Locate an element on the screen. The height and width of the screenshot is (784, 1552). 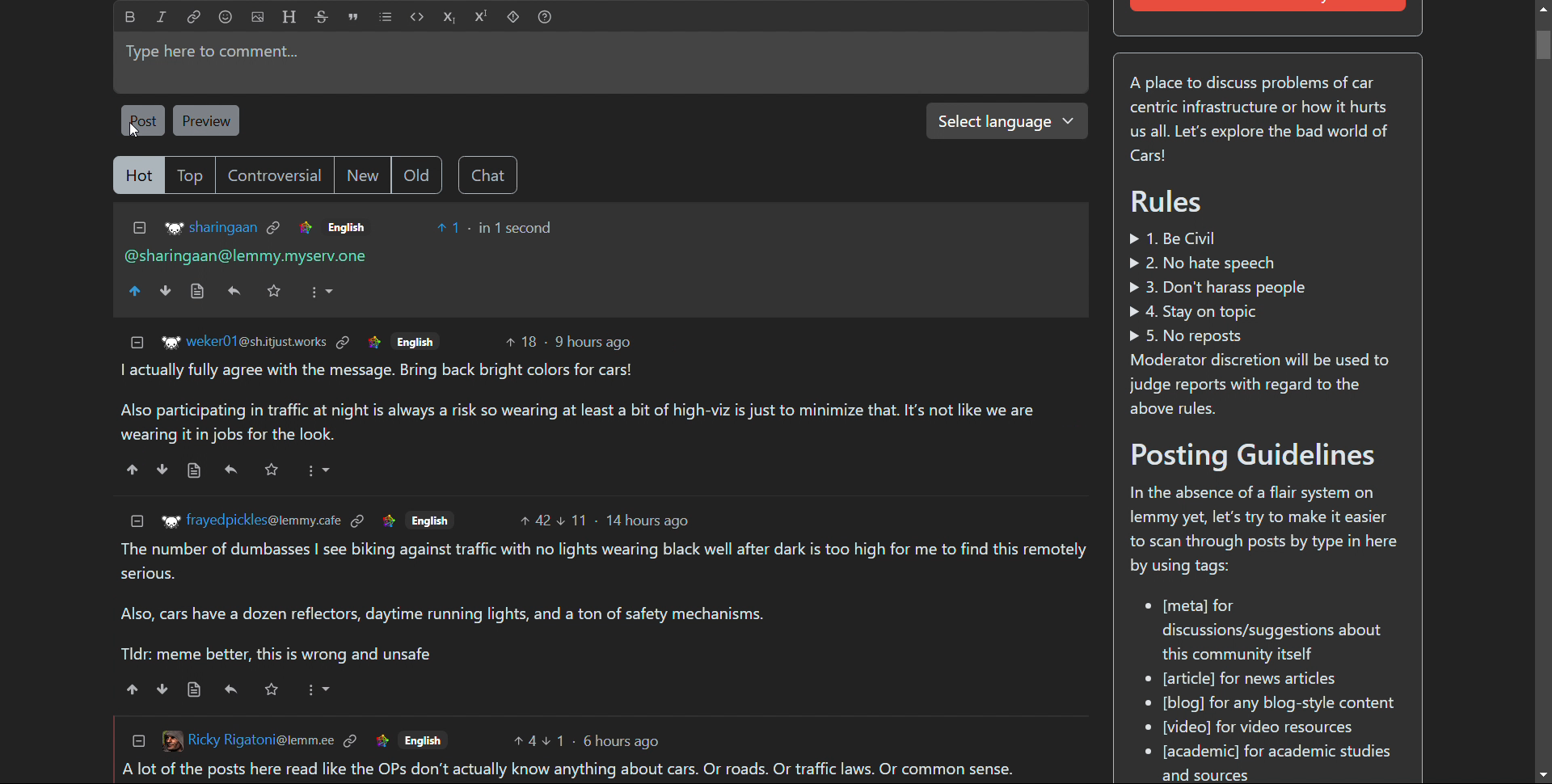
Downvote 1 is located at coordinates (555, 742).